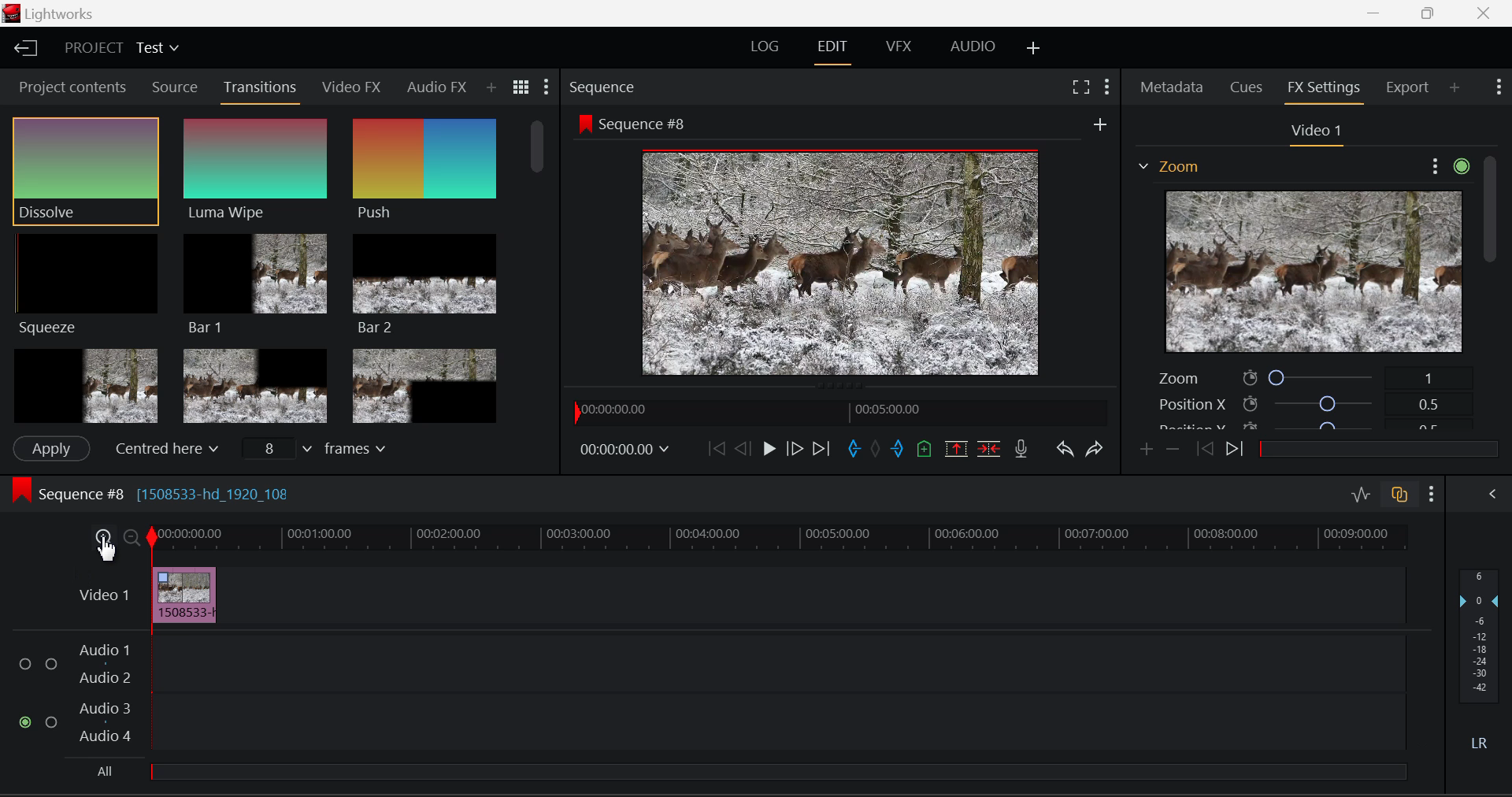 The image size is (1512, 797). What do you see at coordinates (425, 386) in the screenshot?
I see `Box 3` at bounding box center [425, 386].